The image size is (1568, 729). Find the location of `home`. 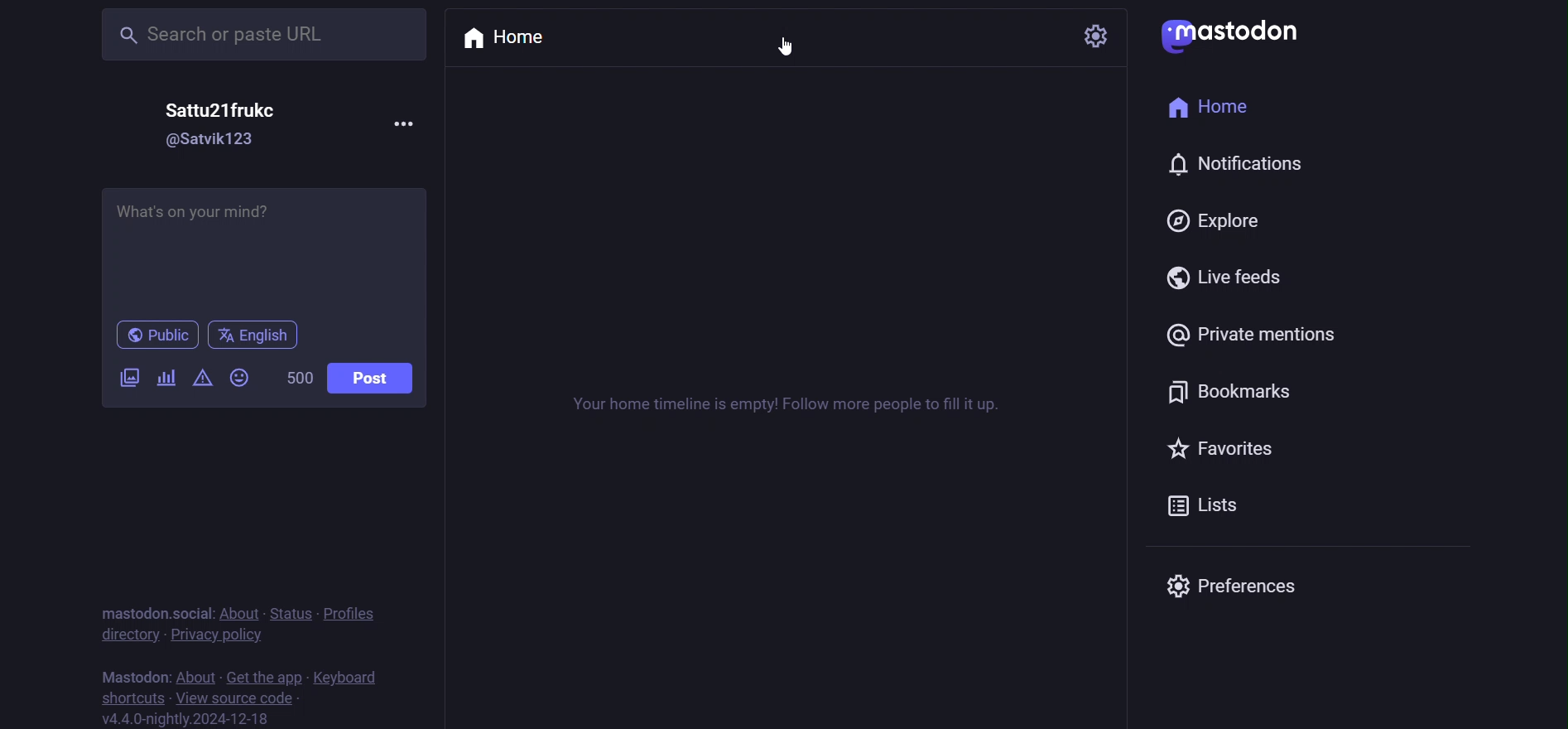

home is located at coordinates (1210, 107).